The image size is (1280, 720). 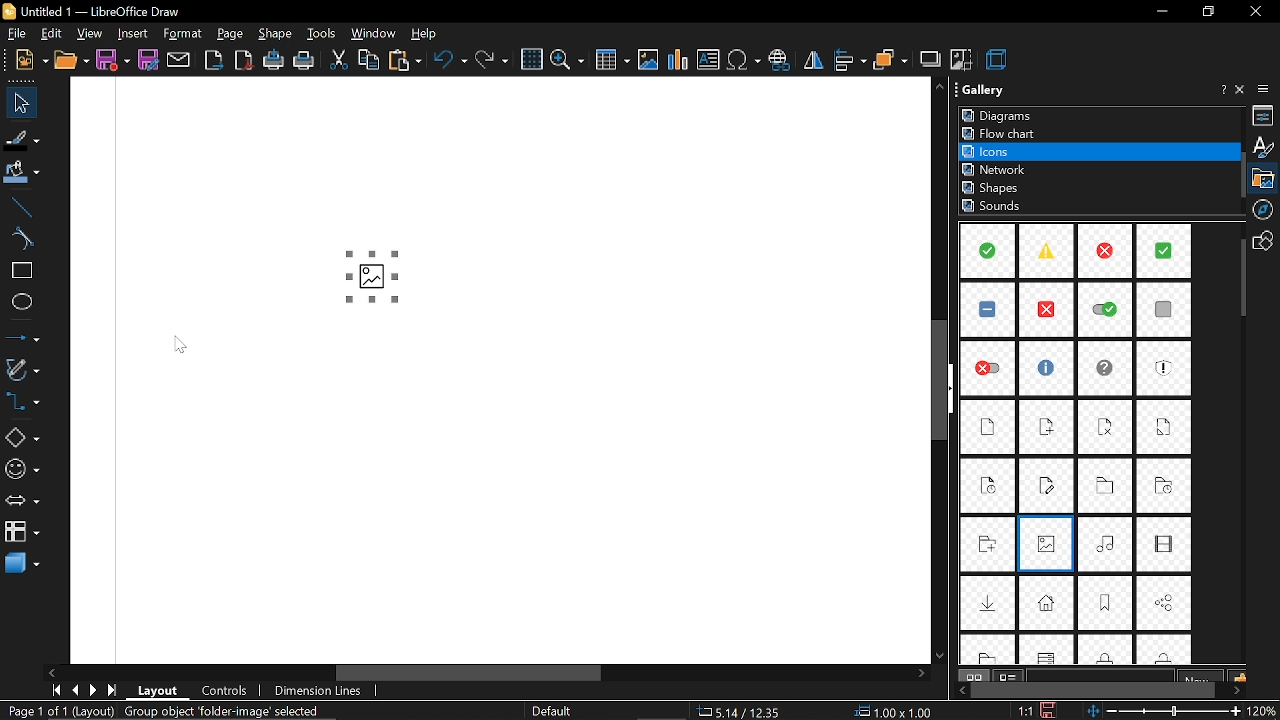 I want to click on 20%, so click(x=1264, y=711).